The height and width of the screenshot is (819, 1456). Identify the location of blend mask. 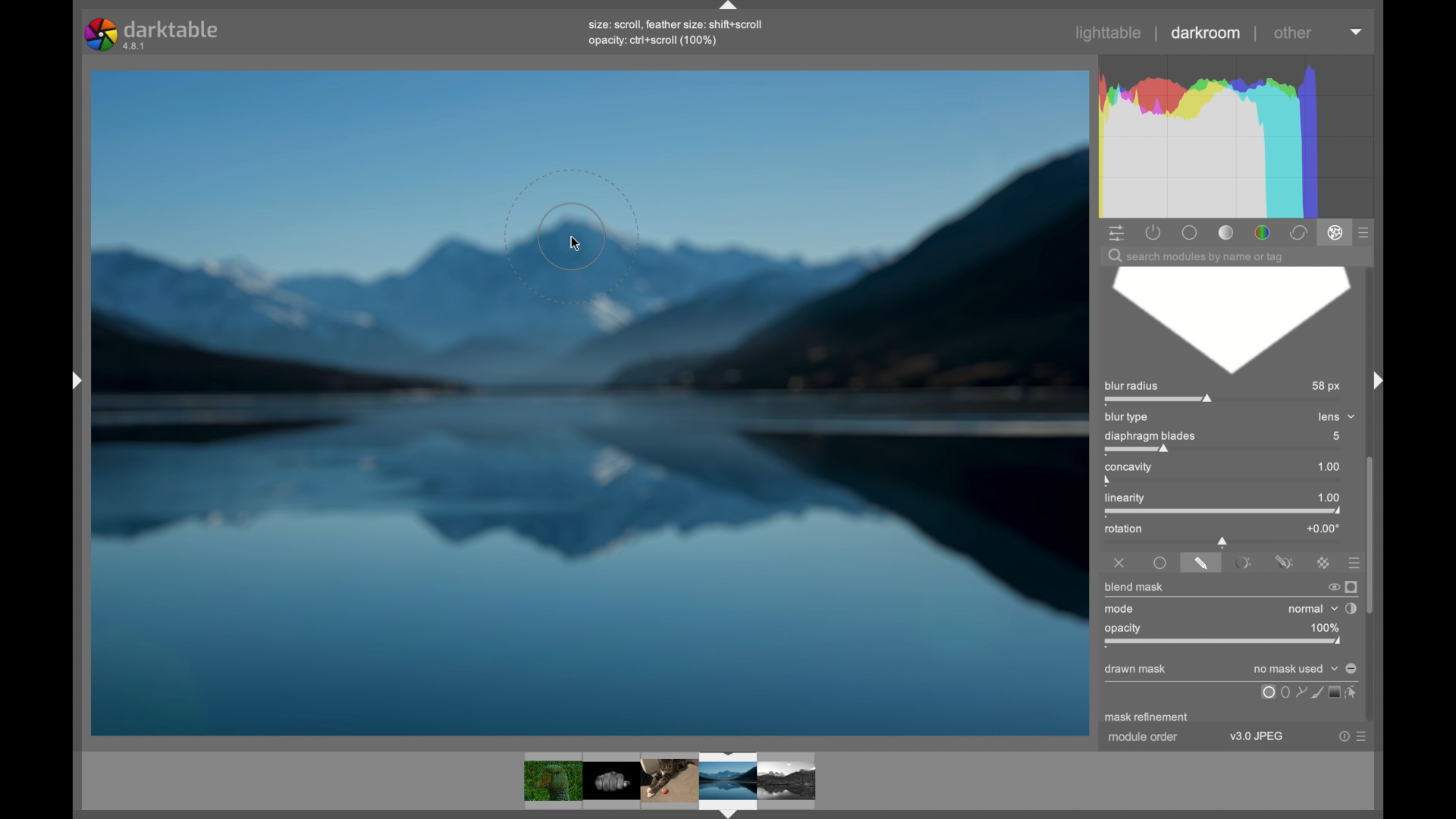
(1136, 586).